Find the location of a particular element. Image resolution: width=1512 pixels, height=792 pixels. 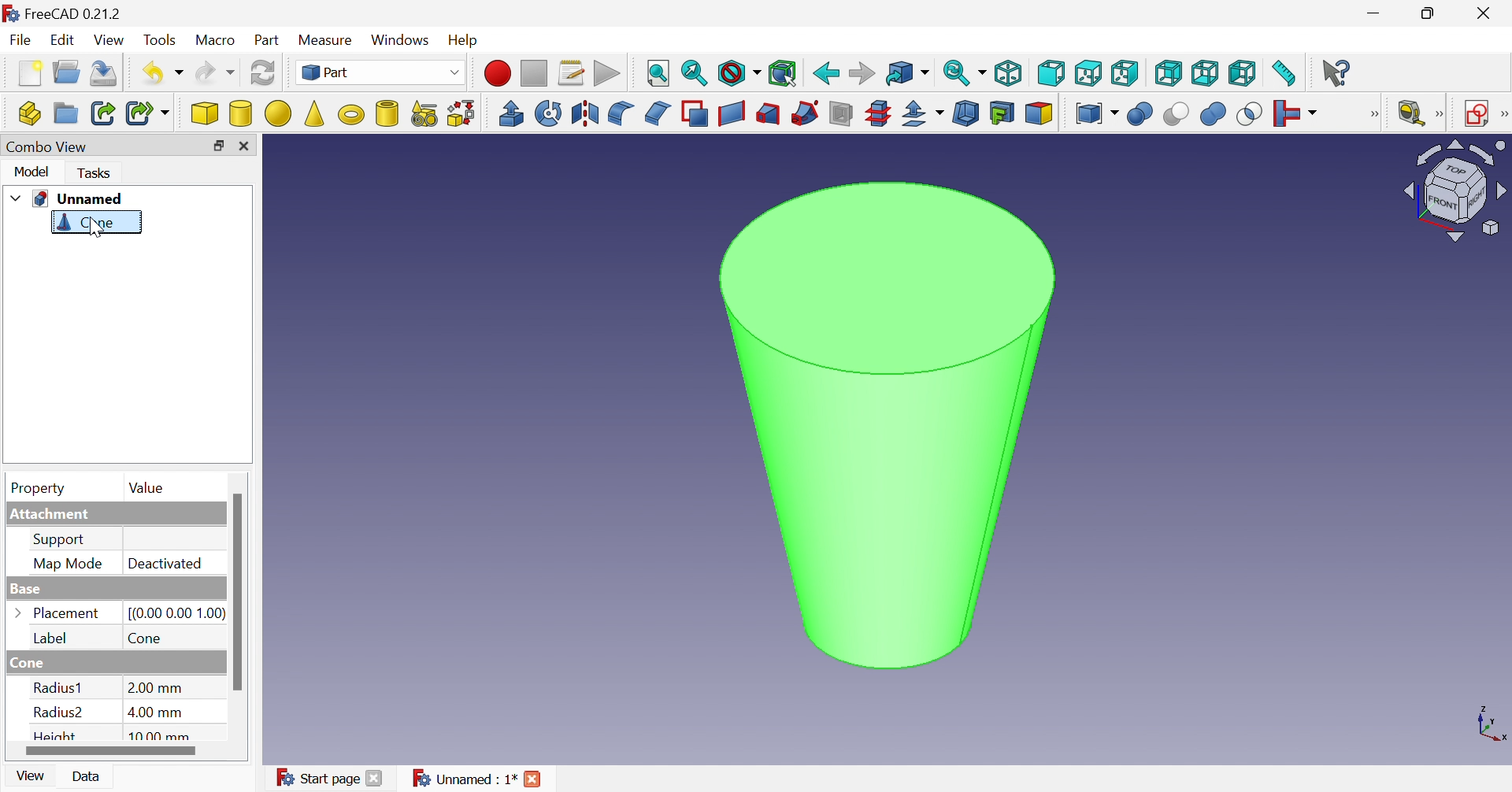

[Sketcher] is located at coordinates (1503, 116).